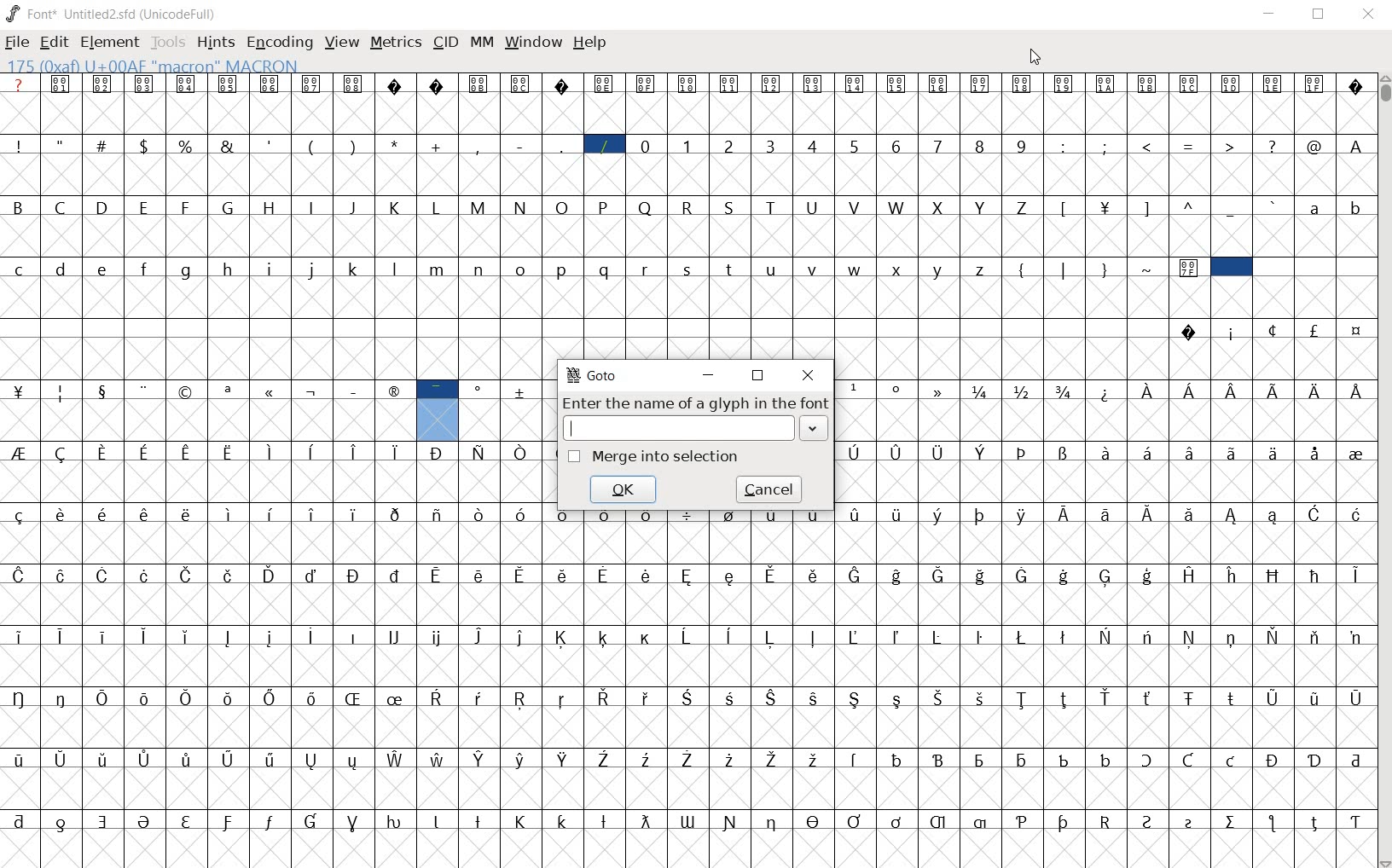 This screenshot has width=1392, height=868. I want to click on Latin extended characters, so click(1227, 472).